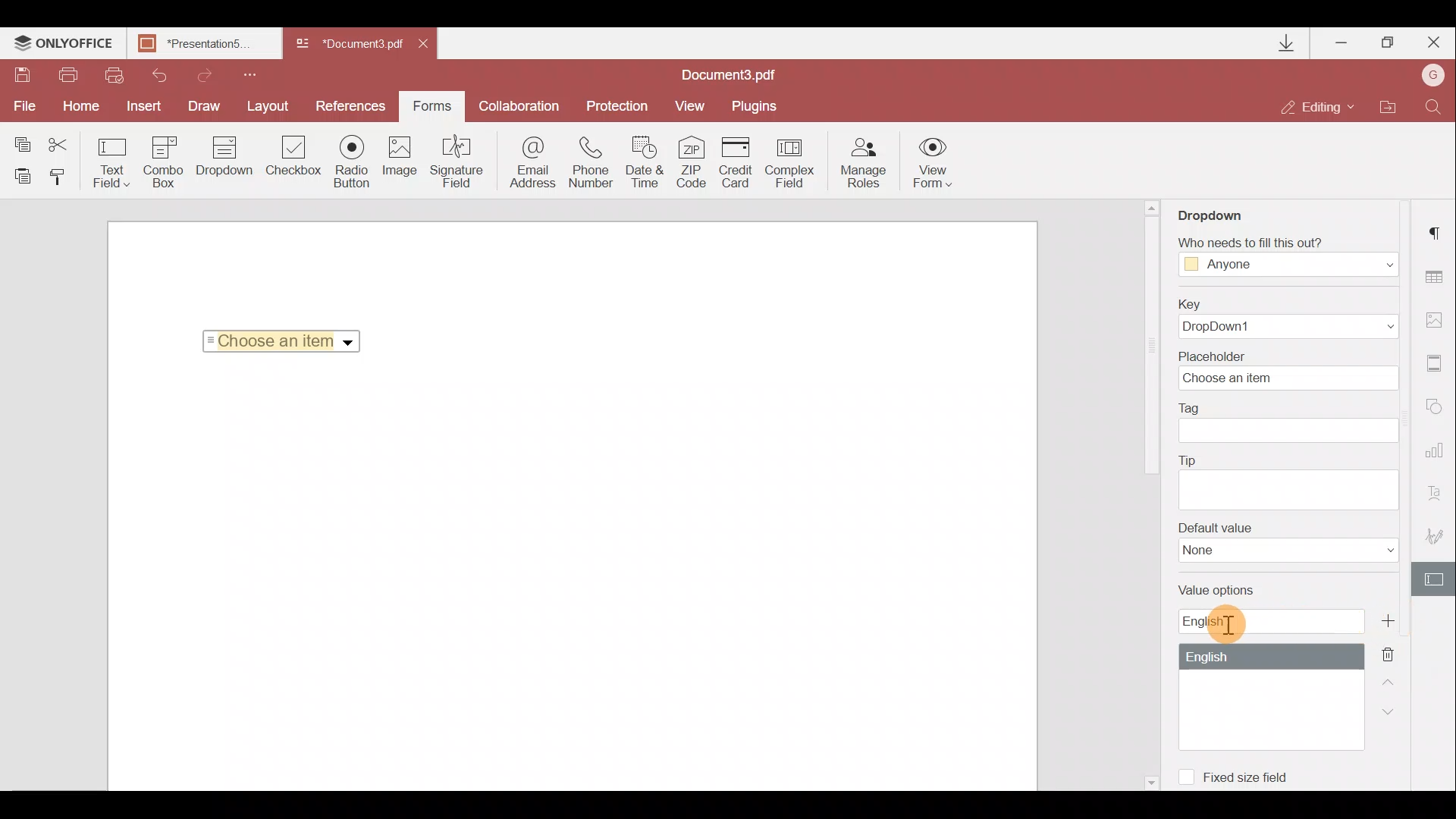  Describe the element at coordinates (1392, 680) in the screenshot. I see `Up` at that location.